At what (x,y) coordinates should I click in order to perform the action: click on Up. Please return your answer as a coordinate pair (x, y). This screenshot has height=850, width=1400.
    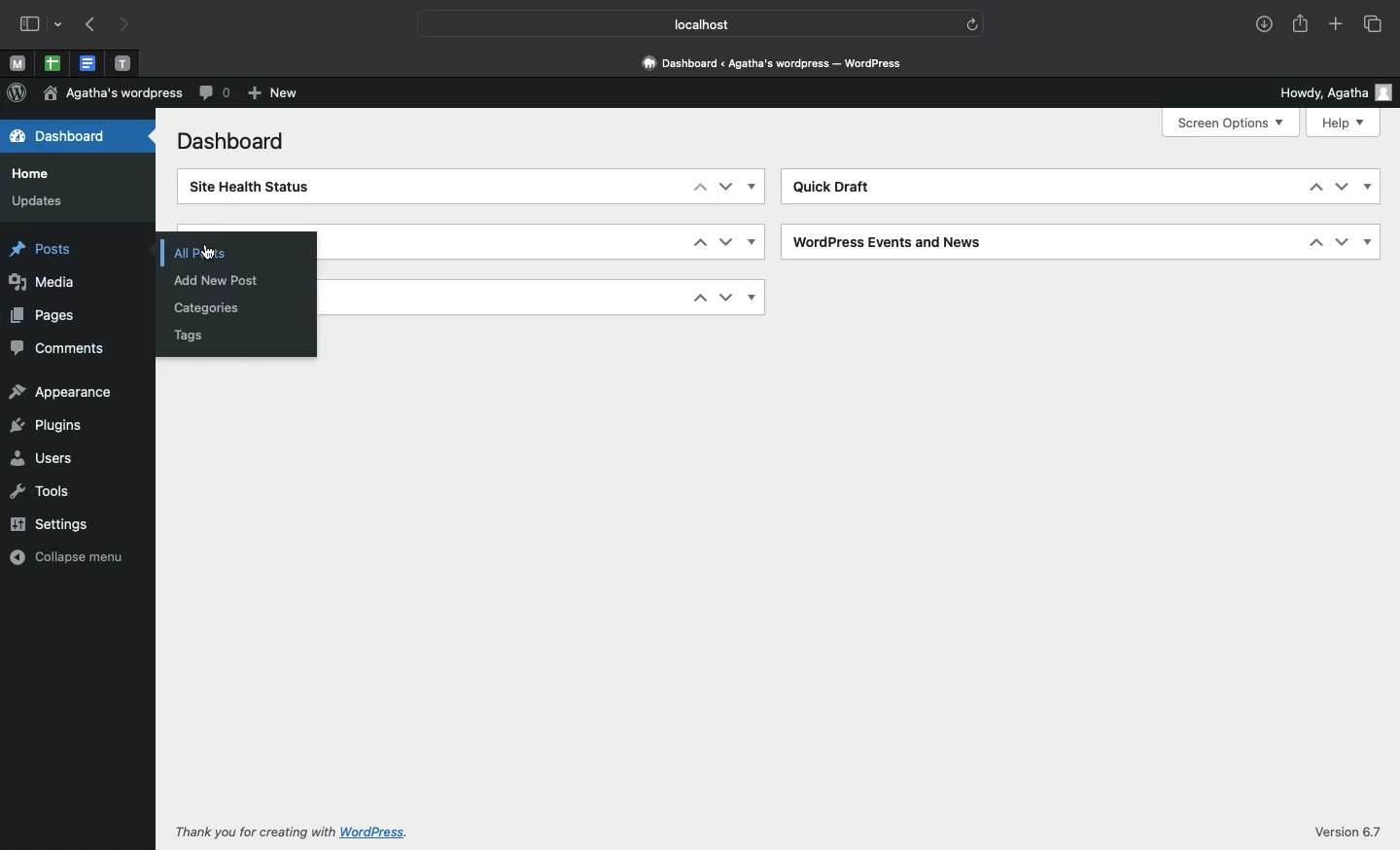
    Looking at the image, I should click on (698, 189).